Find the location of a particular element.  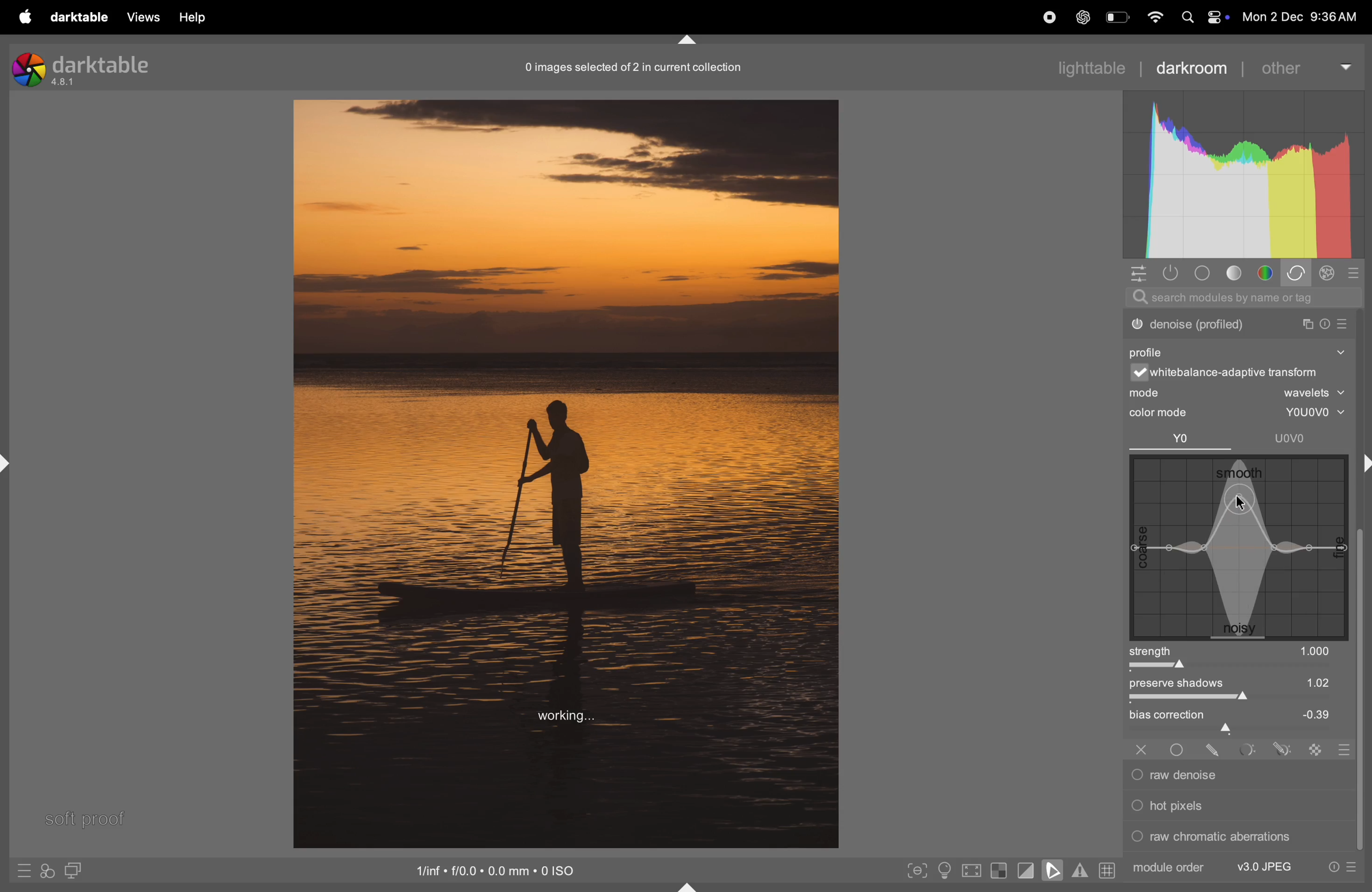

image is located at coordinates (566, 472).